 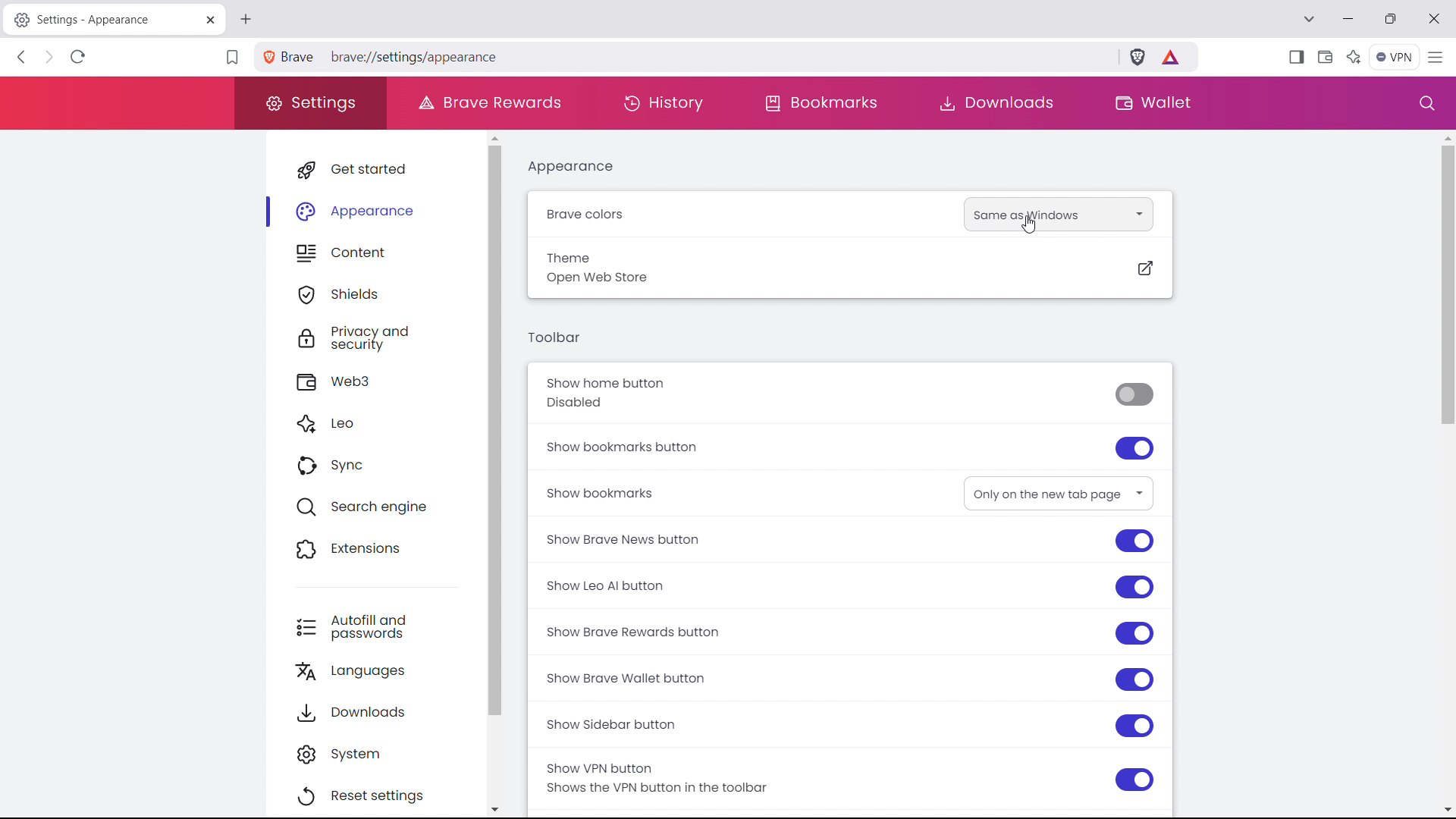 What do you see at coordinates (509, 429) in the screenshot?
I see `scrollbar` at bounding box center [509, 429].